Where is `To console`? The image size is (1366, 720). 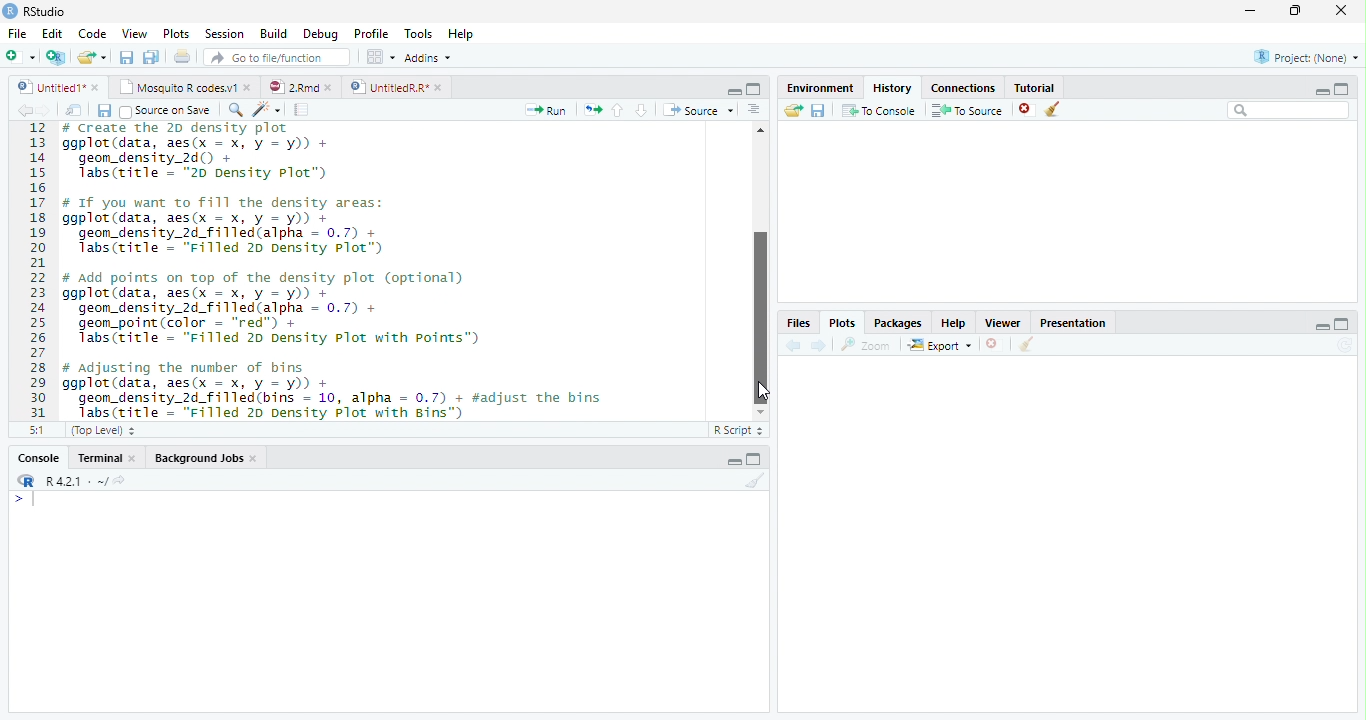
To console is located at coordinates (880, 110).